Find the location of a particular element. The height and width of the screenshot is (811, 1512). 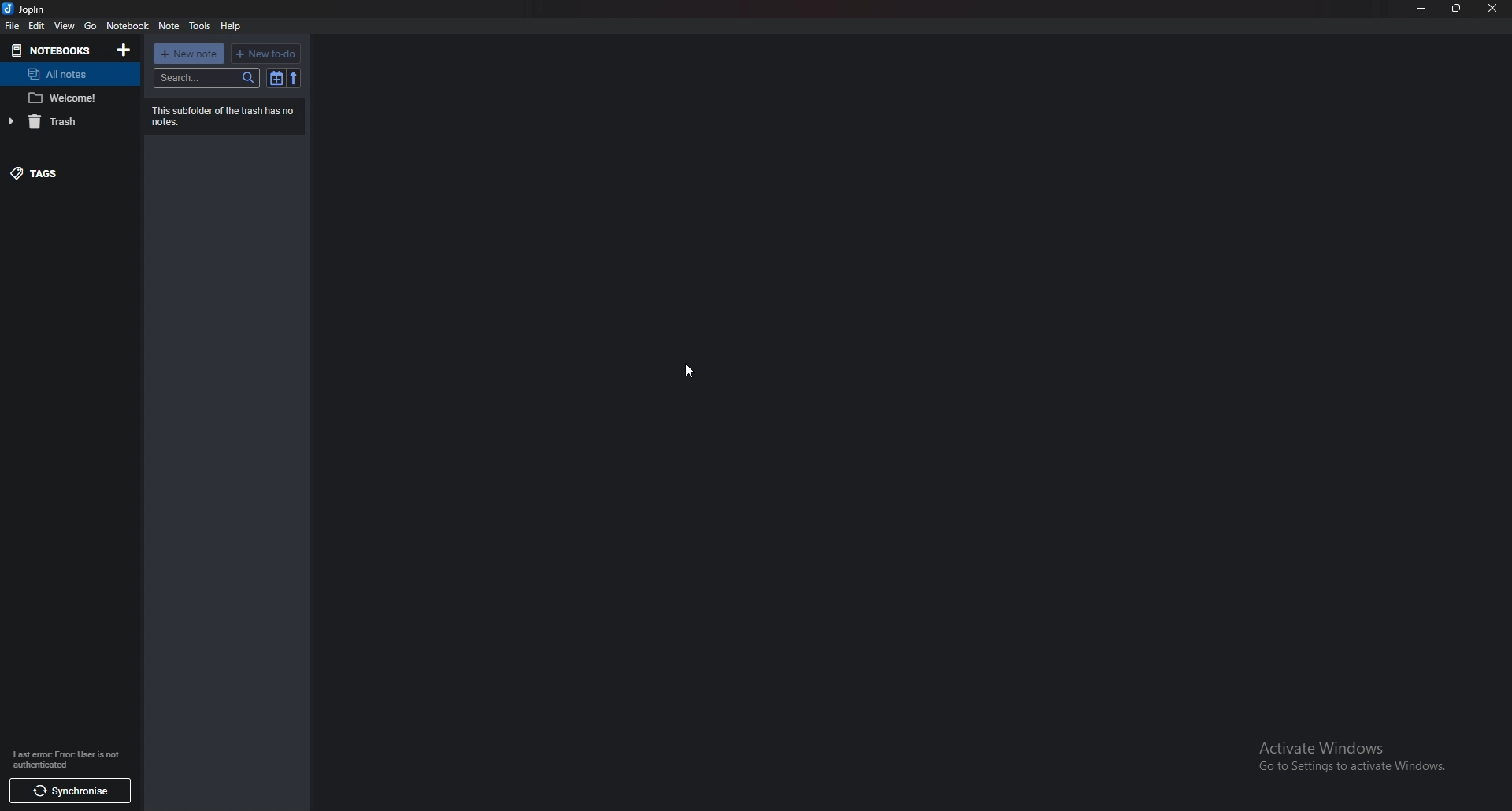

Tools is located at coordinates (199, 25).